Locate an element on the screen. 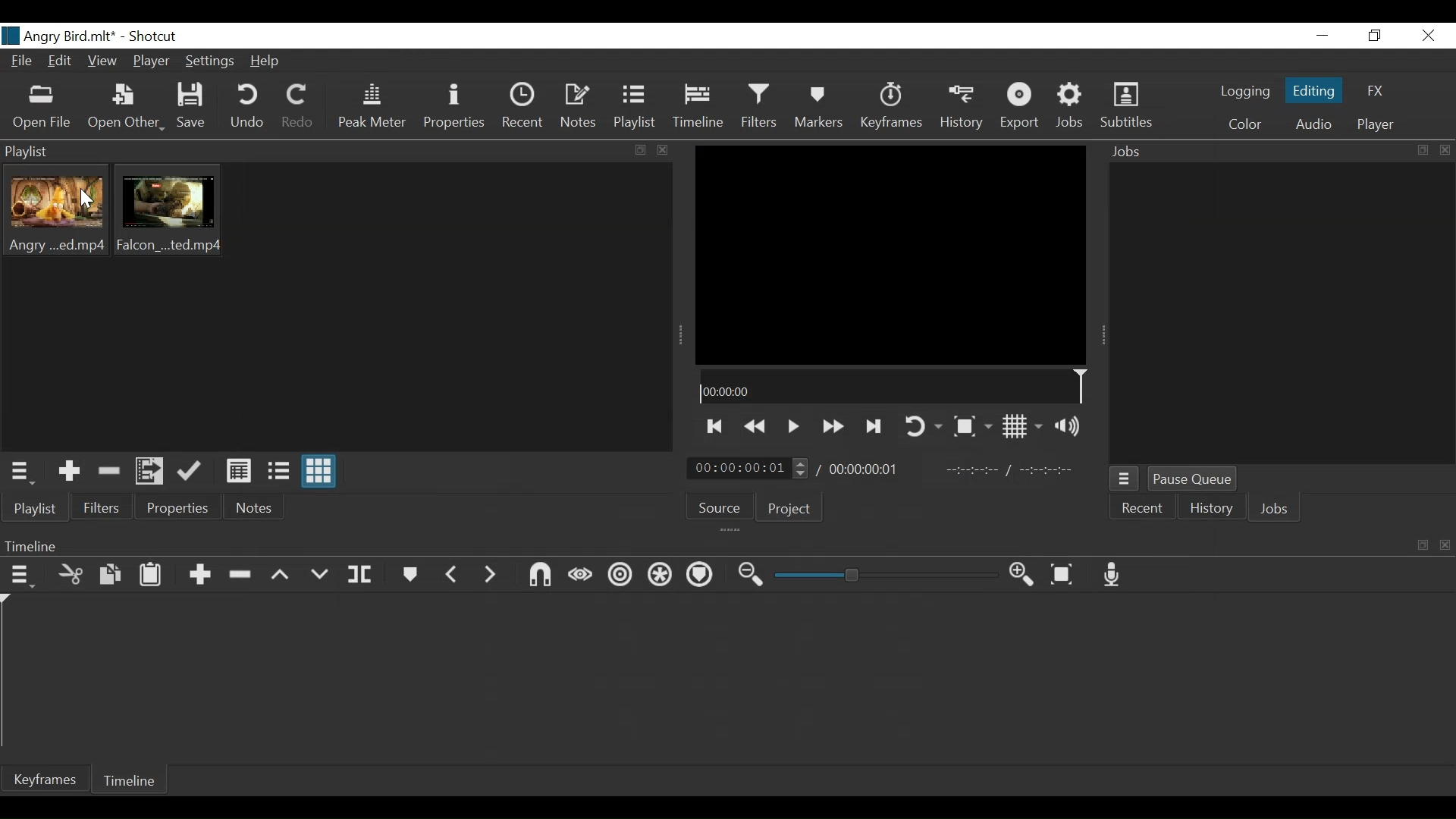 This screenshot has height=819, width=1456. Skip to the next point is located at coordinates (715, 427).